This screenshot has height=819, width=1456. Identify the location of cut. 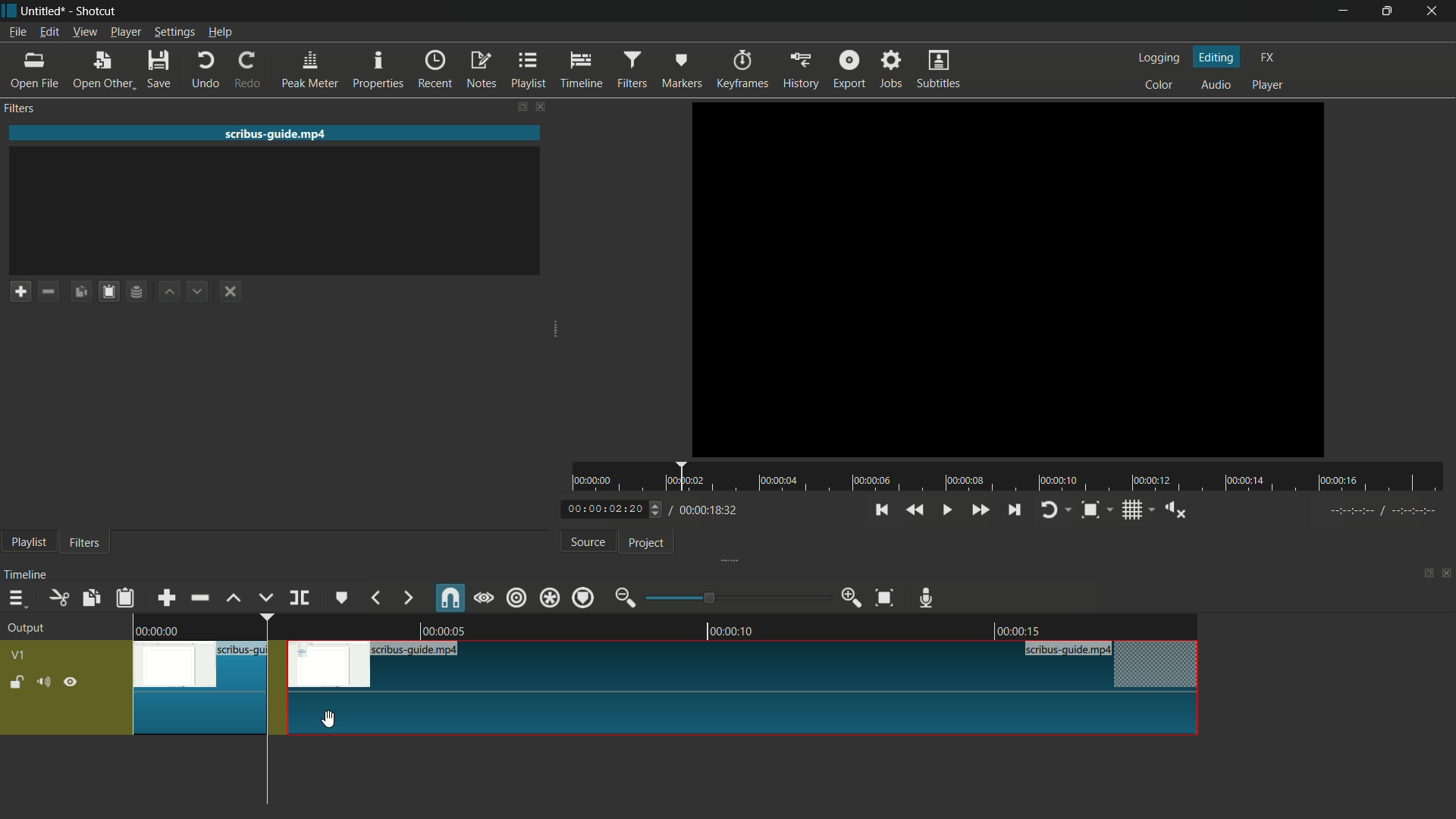
(58, 598).